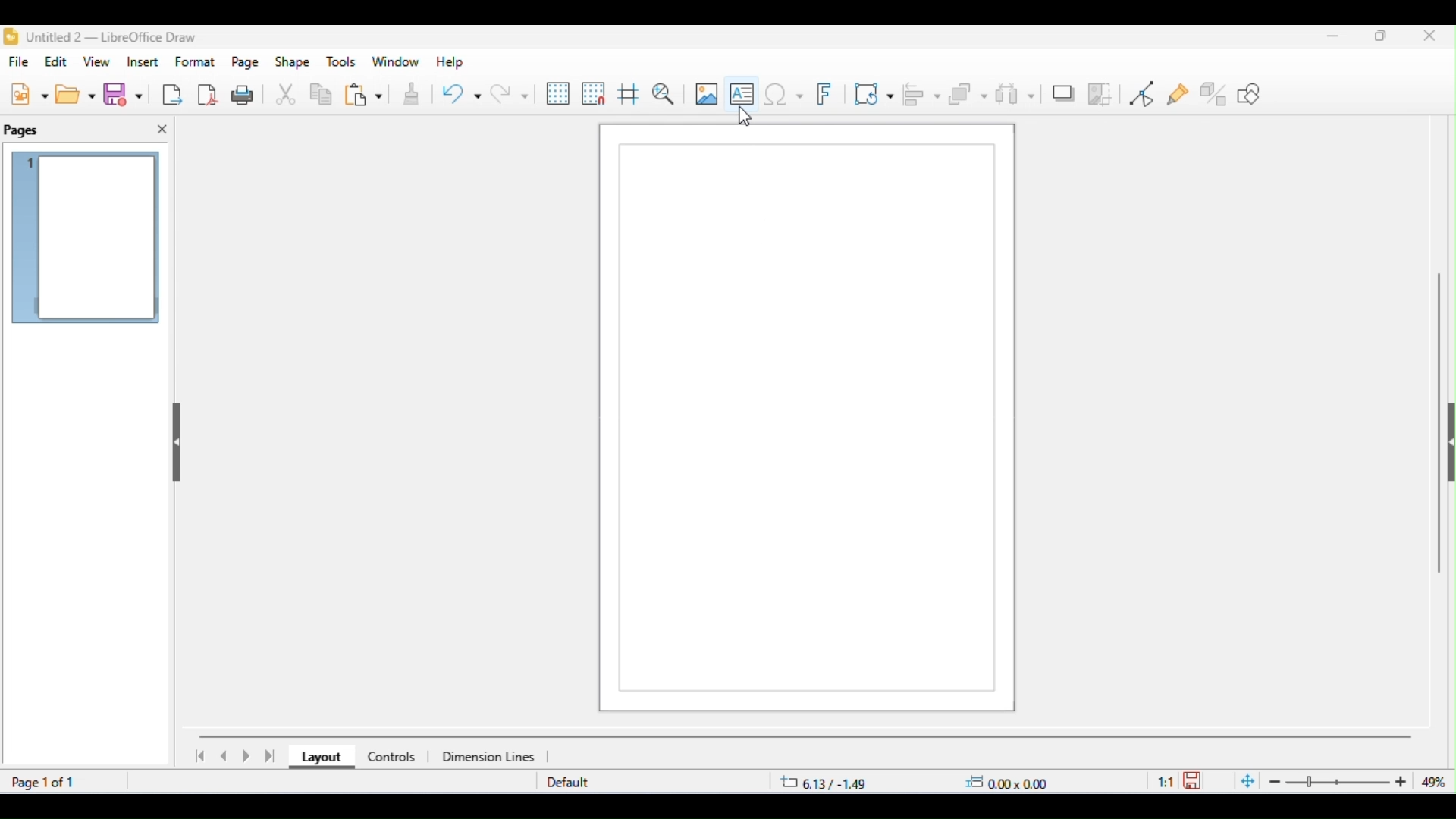 This screenshot has height=819, width=1456. Describe the element at coordinates (827, 95) in the screenshot. I see `insert fontwork text` at that location.